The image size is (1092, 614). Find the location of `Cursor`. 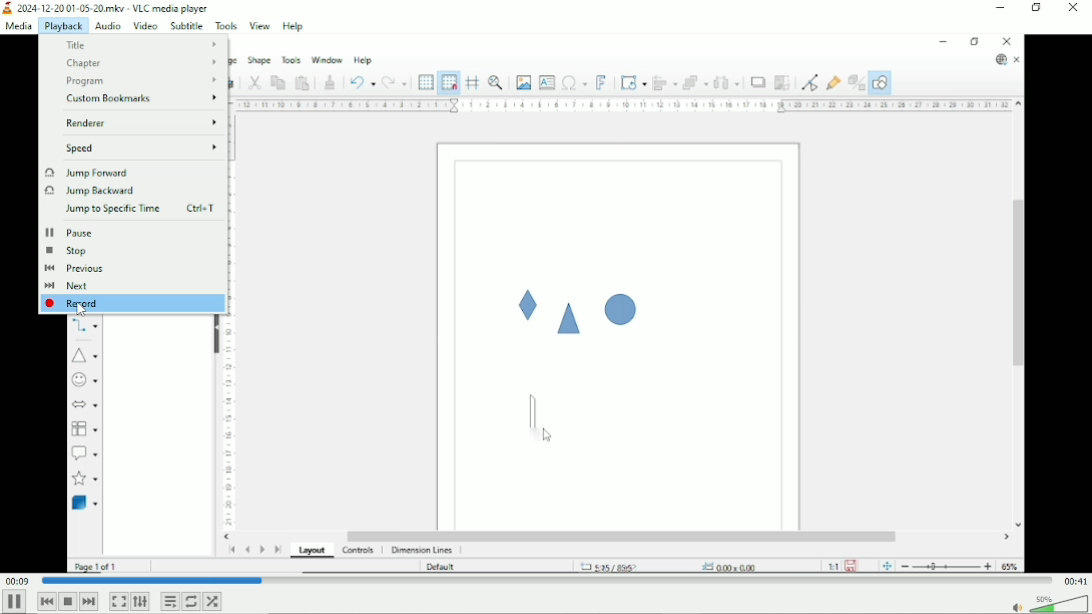

Cursor is located at coordinates (84, 312).